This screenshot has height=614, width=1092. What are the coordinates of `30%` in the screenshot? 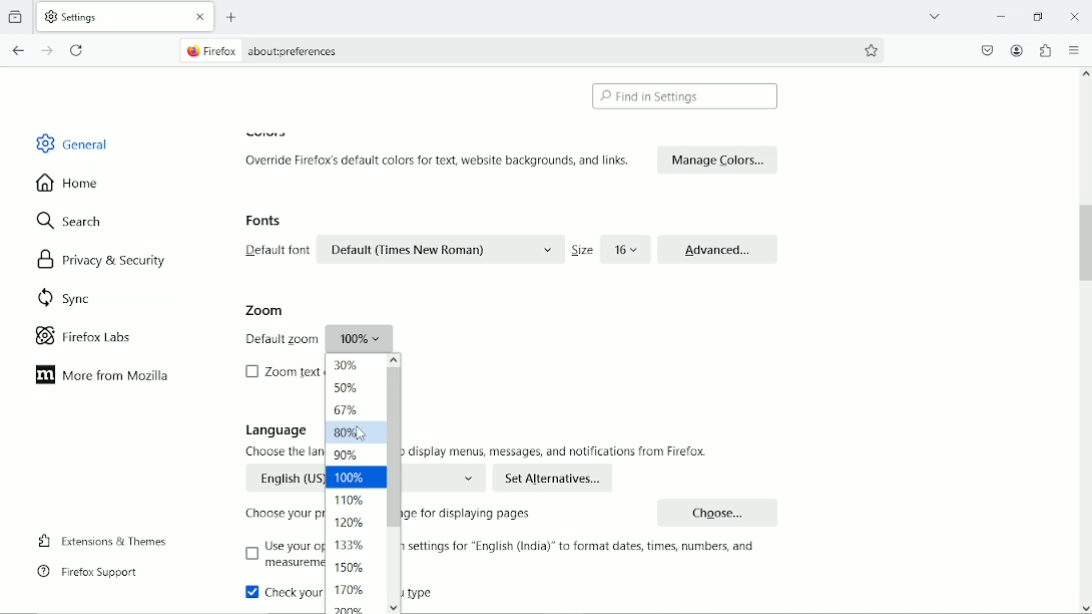 It's located at (346, 366).